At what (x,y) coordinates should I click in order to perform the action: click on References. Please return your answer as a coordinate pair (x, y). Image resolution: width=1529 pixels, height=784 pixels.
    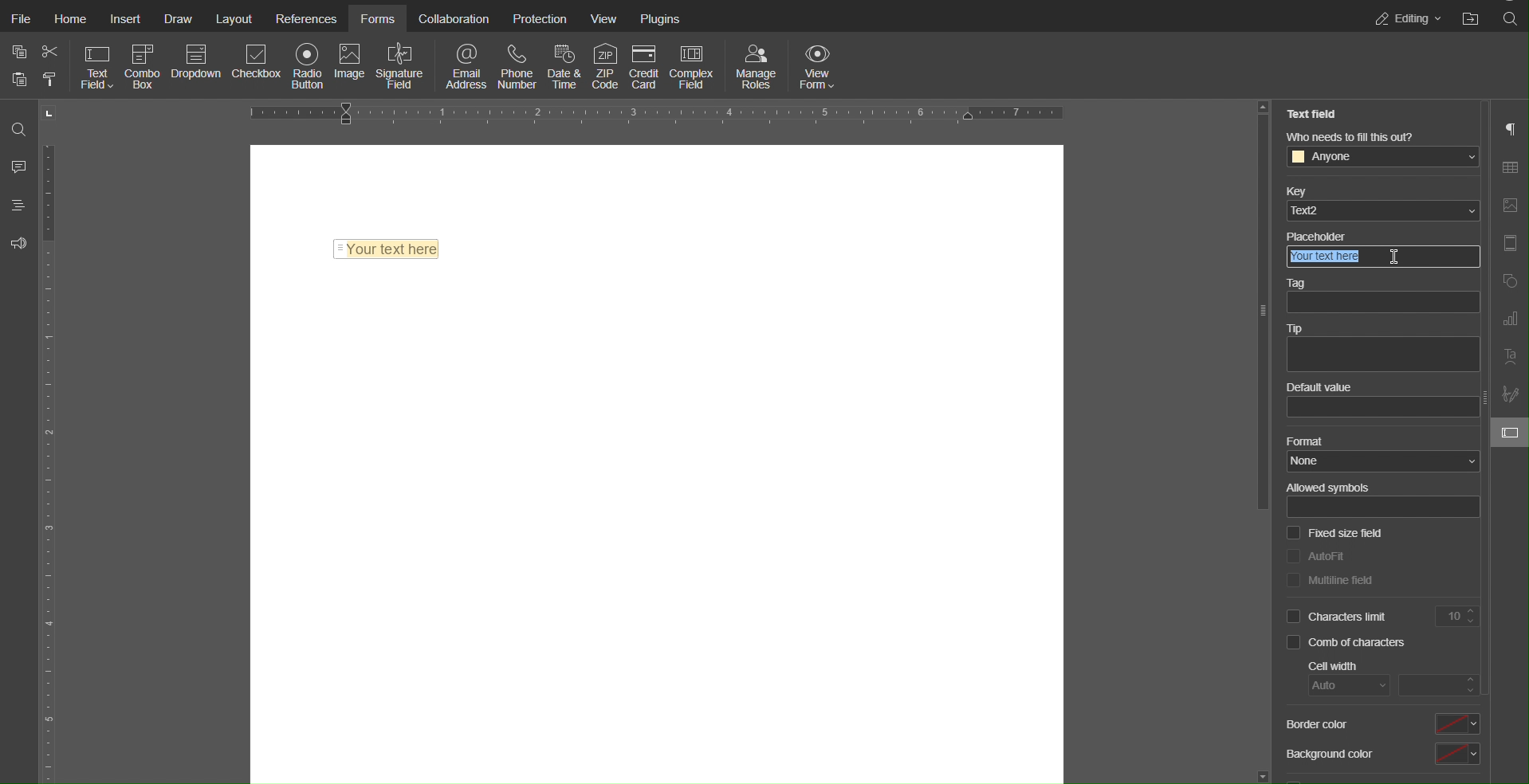
    Looking at the image, I should click on (305, 20).